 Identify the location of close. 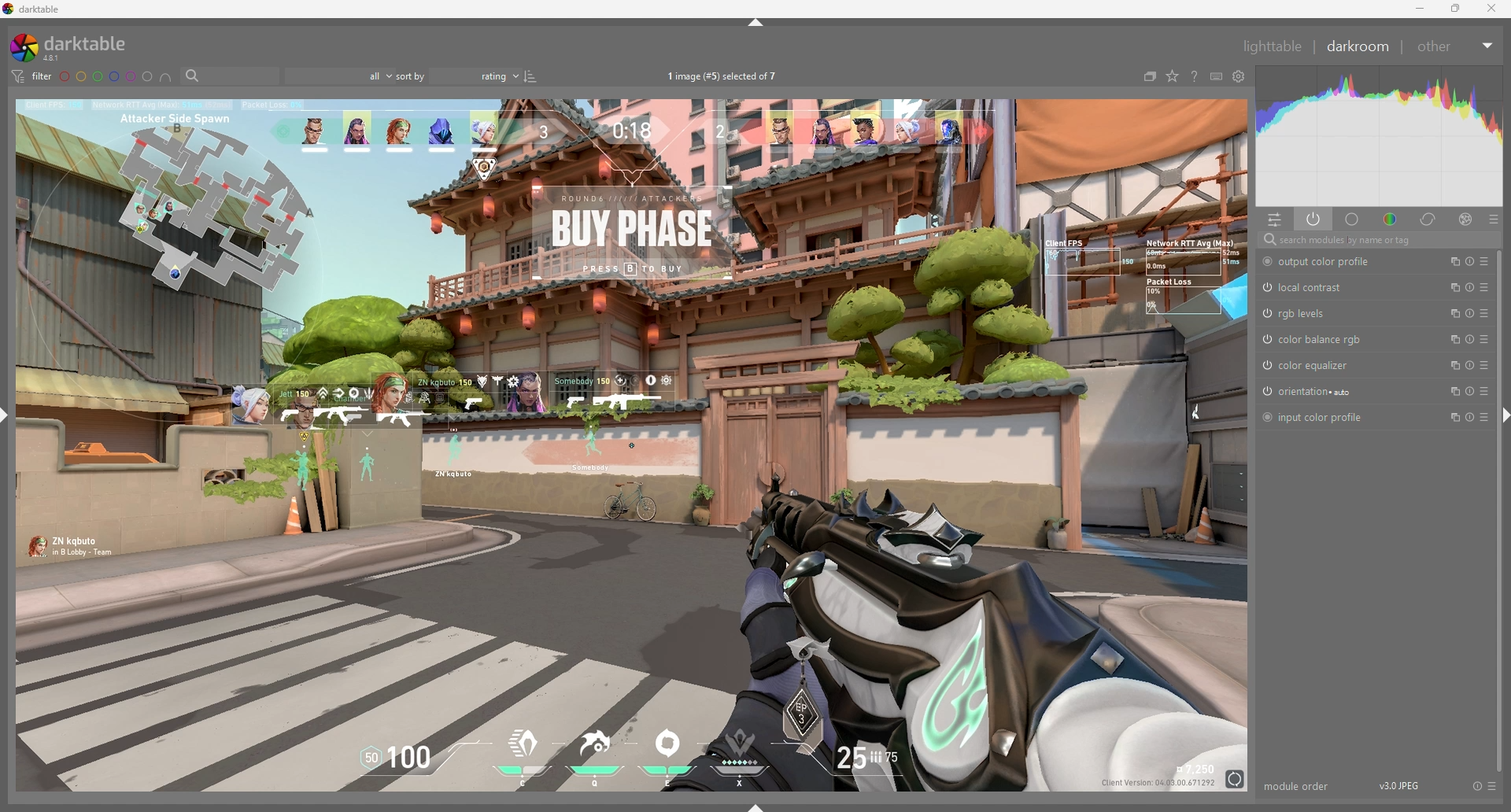
(1490, 9).